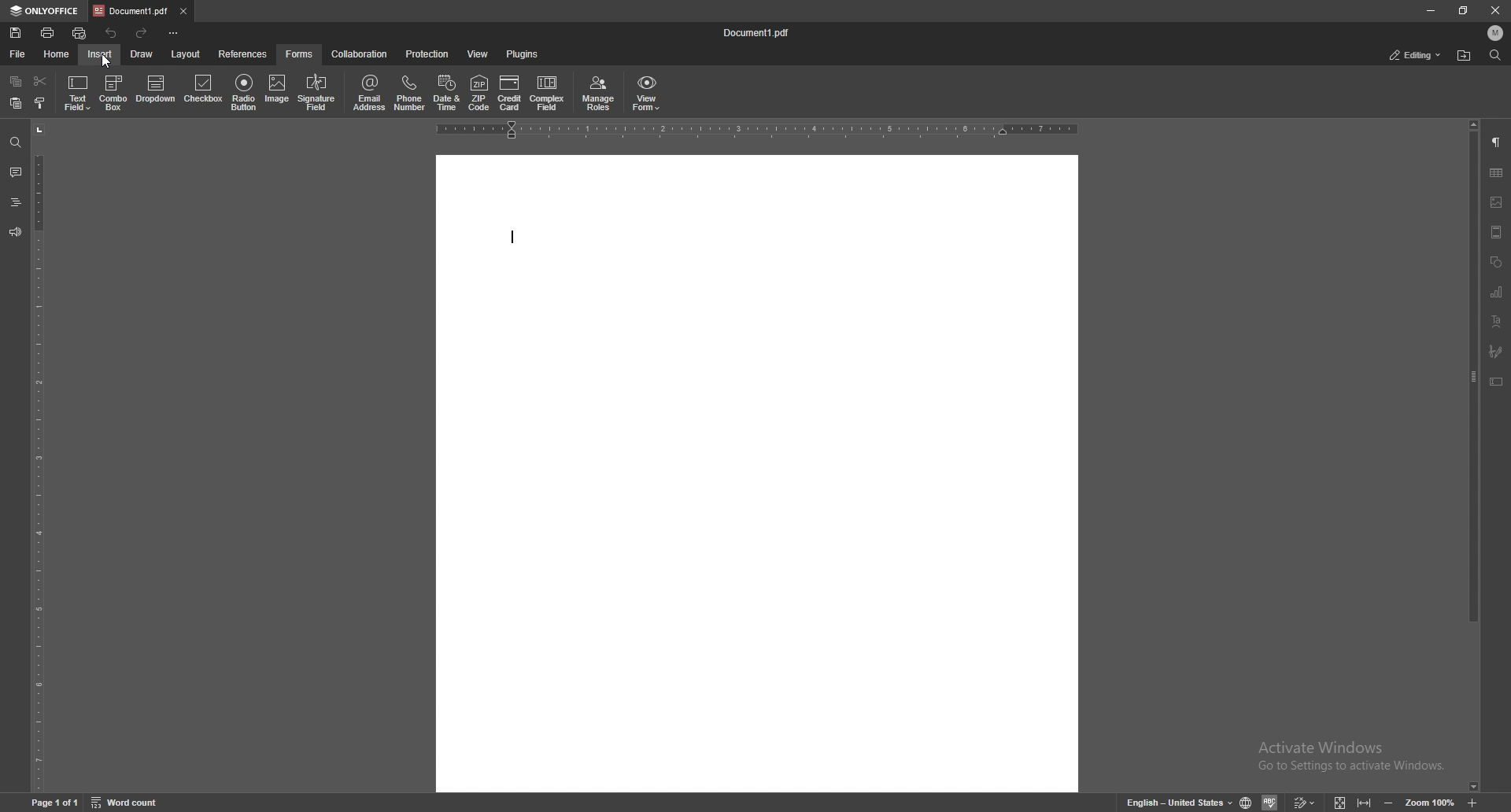 The image size is (1511, 812). I want to click on credit card, so click(509, 94).